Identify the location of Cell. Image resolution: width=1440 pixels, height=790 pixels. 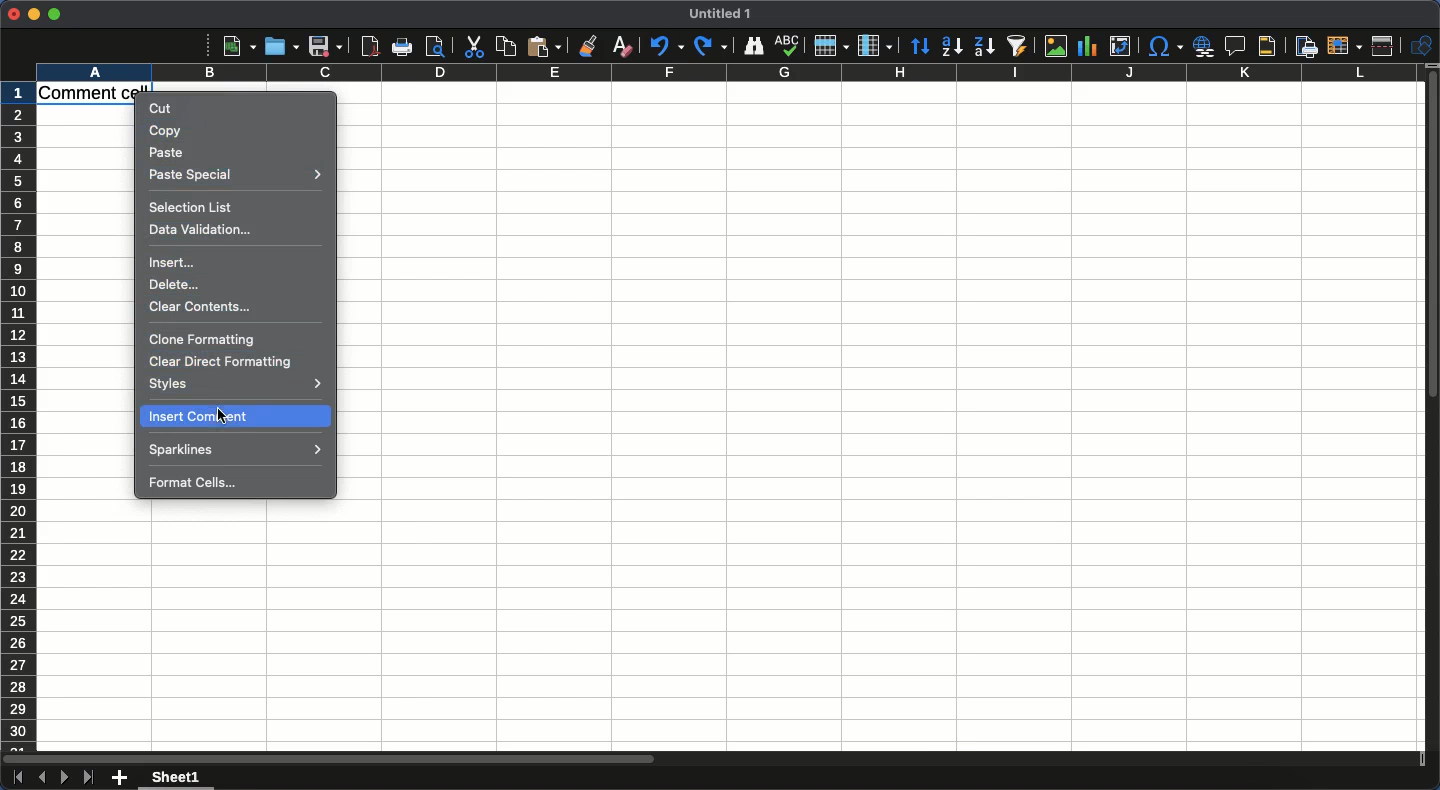
(85, 96).